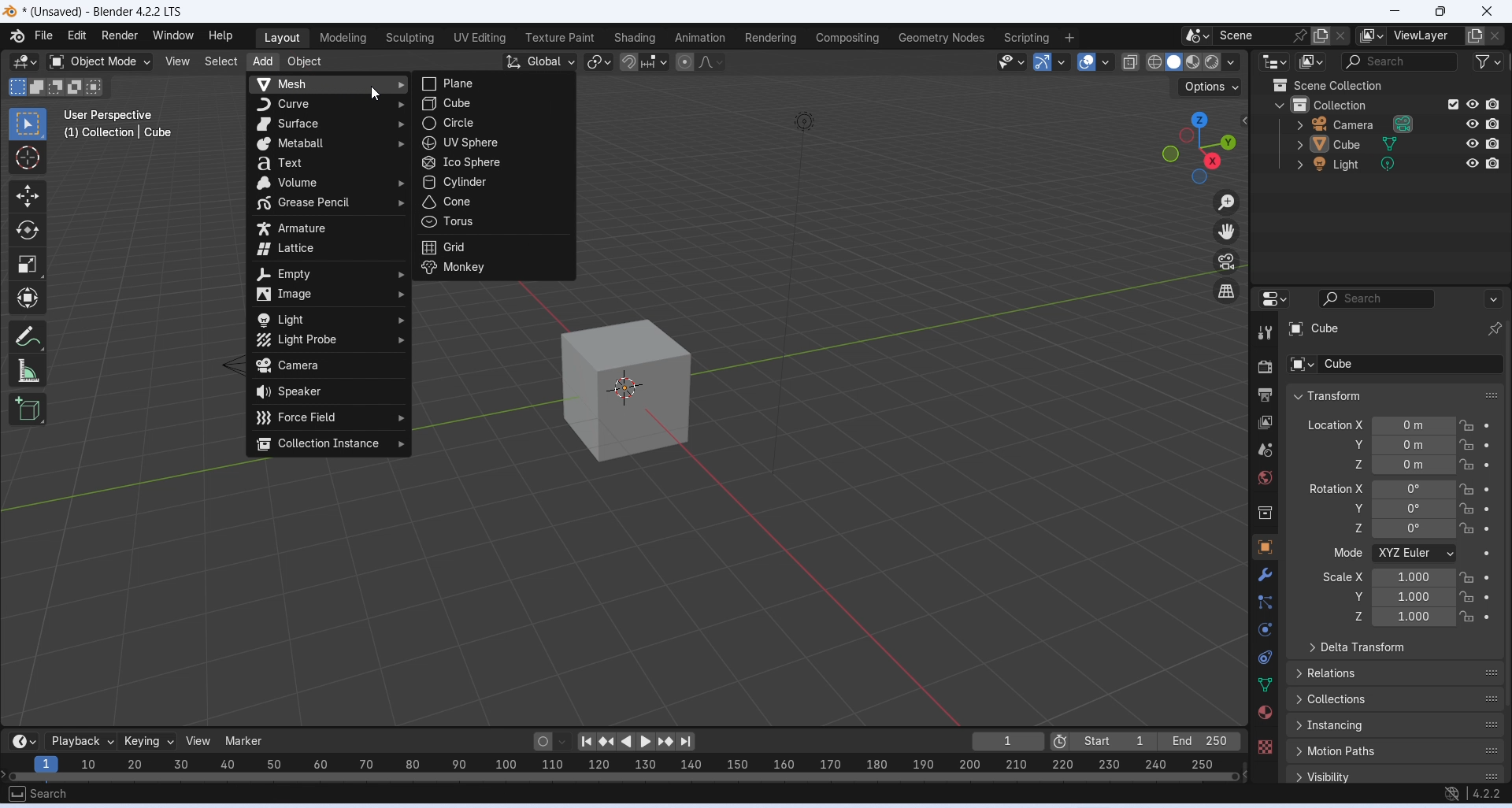 The width and height of the screenshot is (1512, 808). I want to click on animate property, so click(1488, 597).